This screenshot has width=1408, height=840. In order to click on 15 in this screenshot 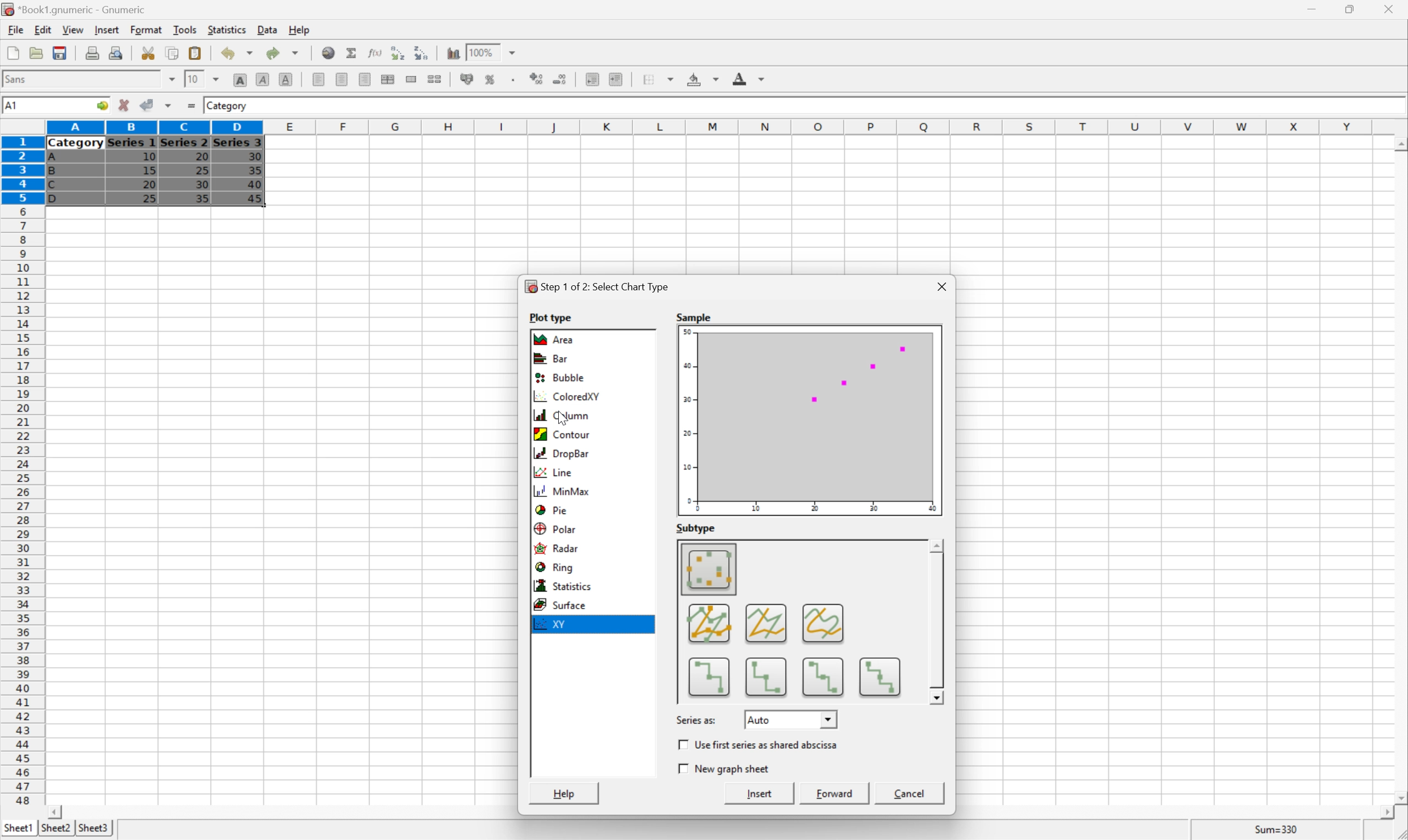, I will do `click(149, 170)`.